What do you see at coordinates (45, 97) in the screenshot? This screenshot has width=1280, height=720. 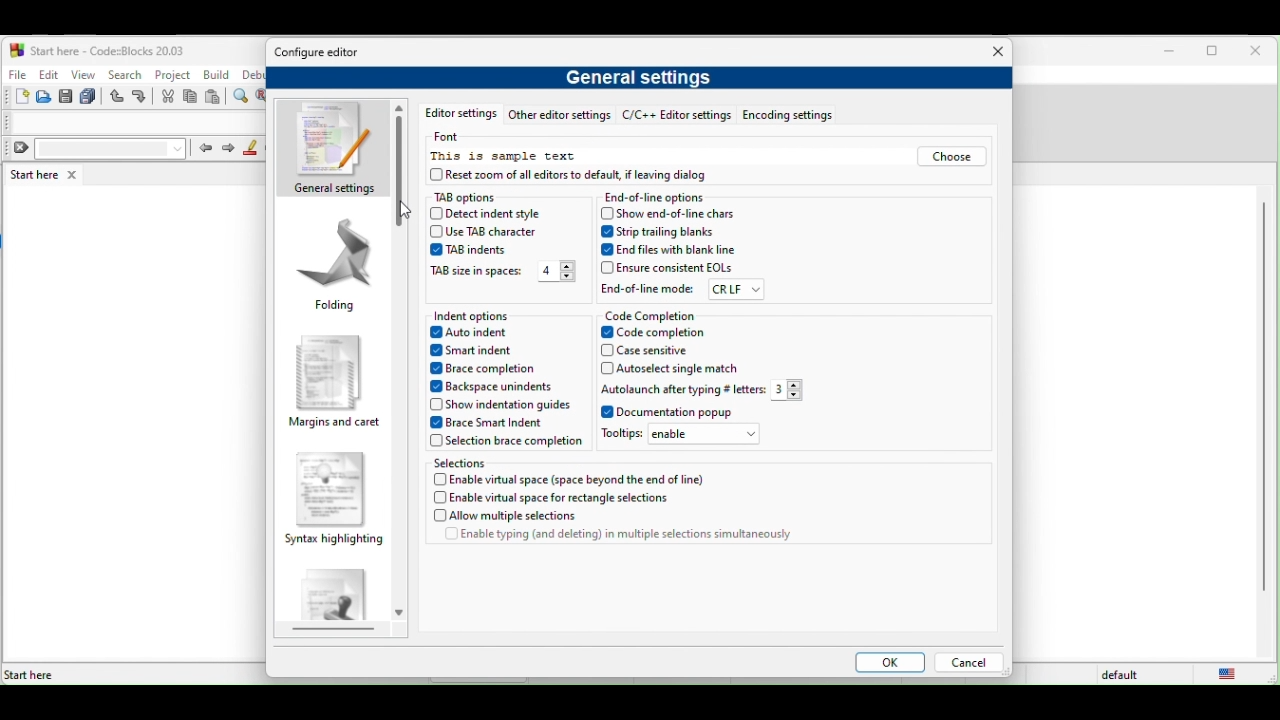 I see `open` at bounding box center [45, 97].